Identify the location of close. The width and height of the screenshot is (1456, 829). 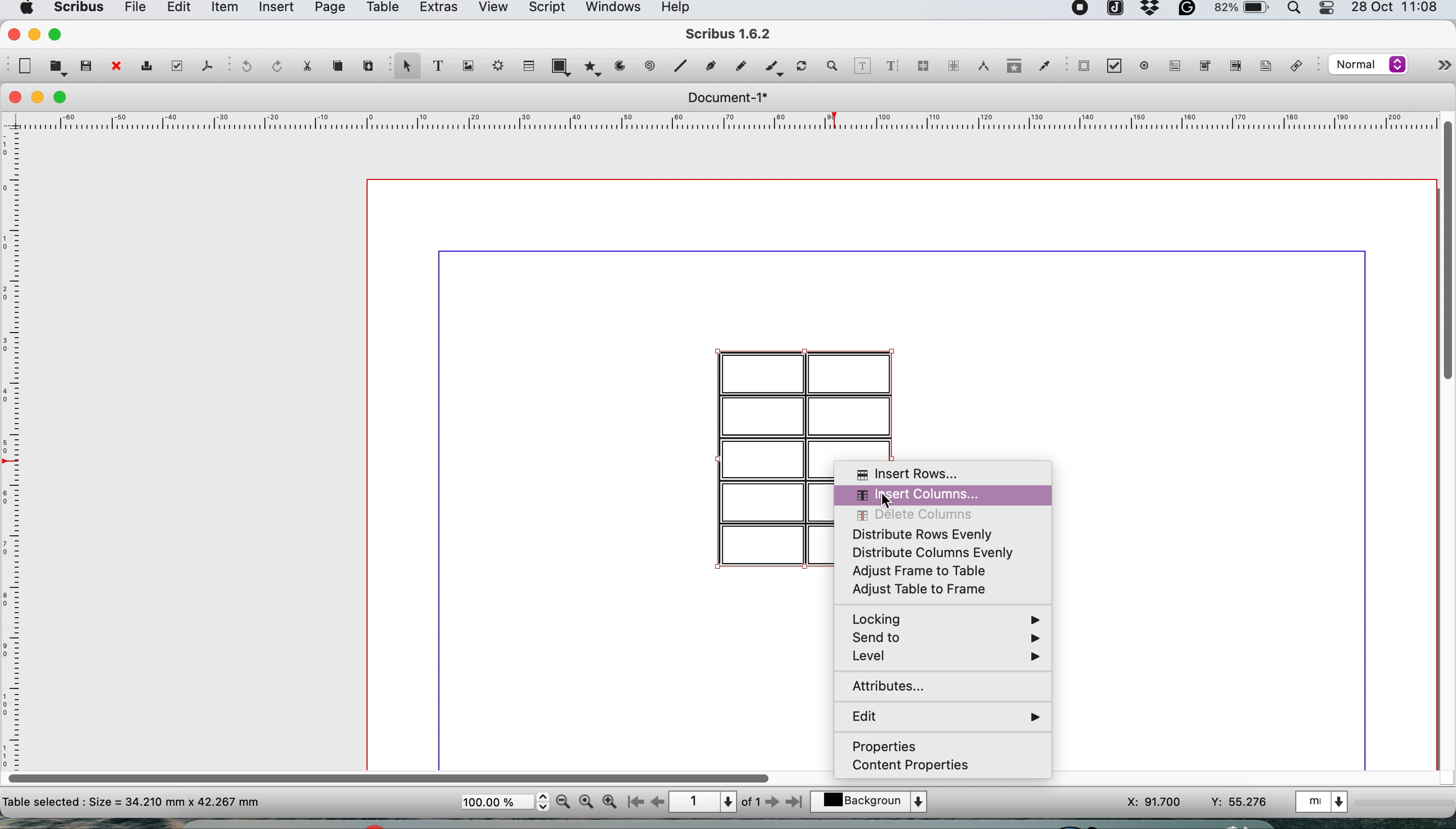
(115, 67).